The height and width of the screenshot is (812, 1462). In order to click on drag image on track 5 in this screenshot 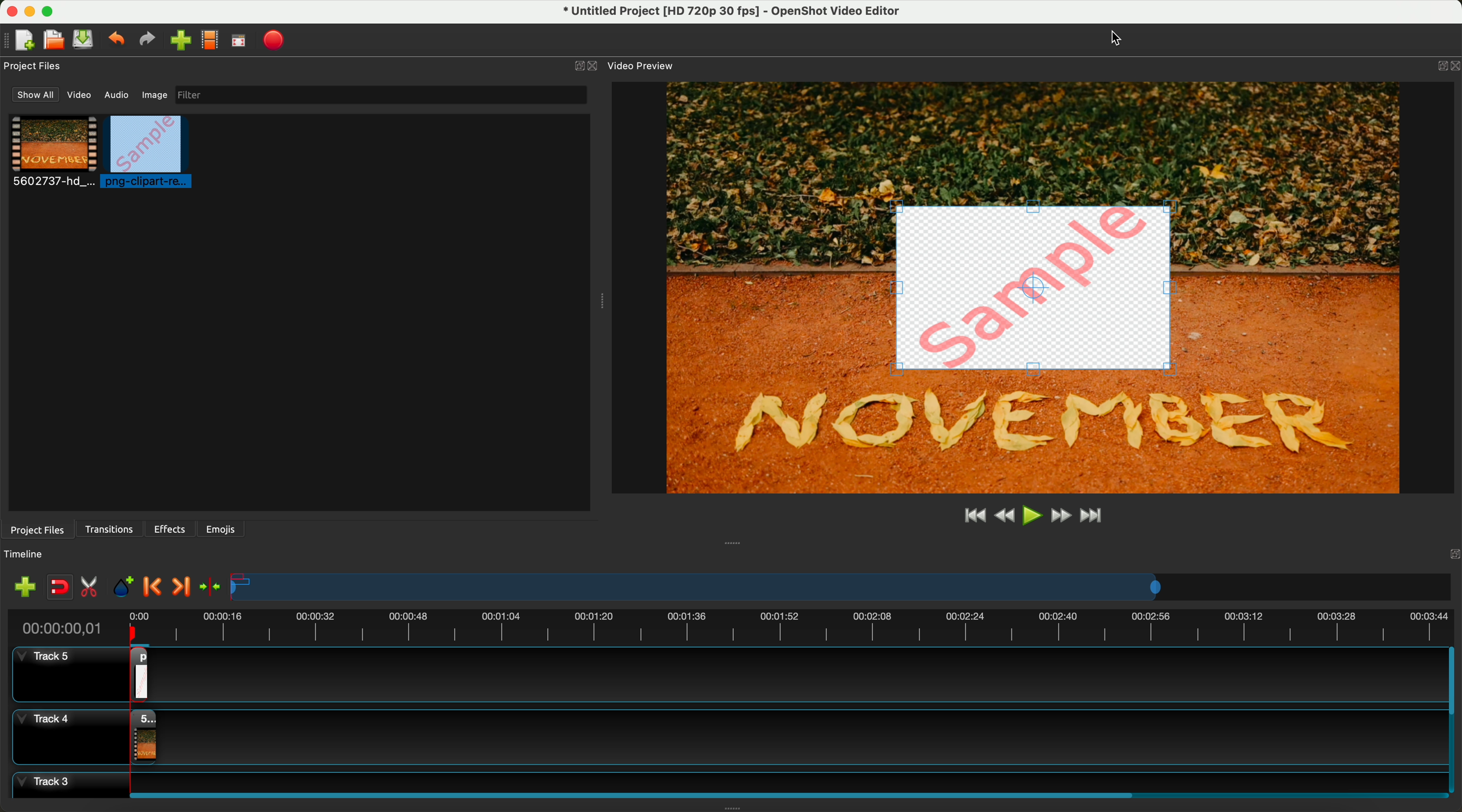, I will do `click(142, 673)`.